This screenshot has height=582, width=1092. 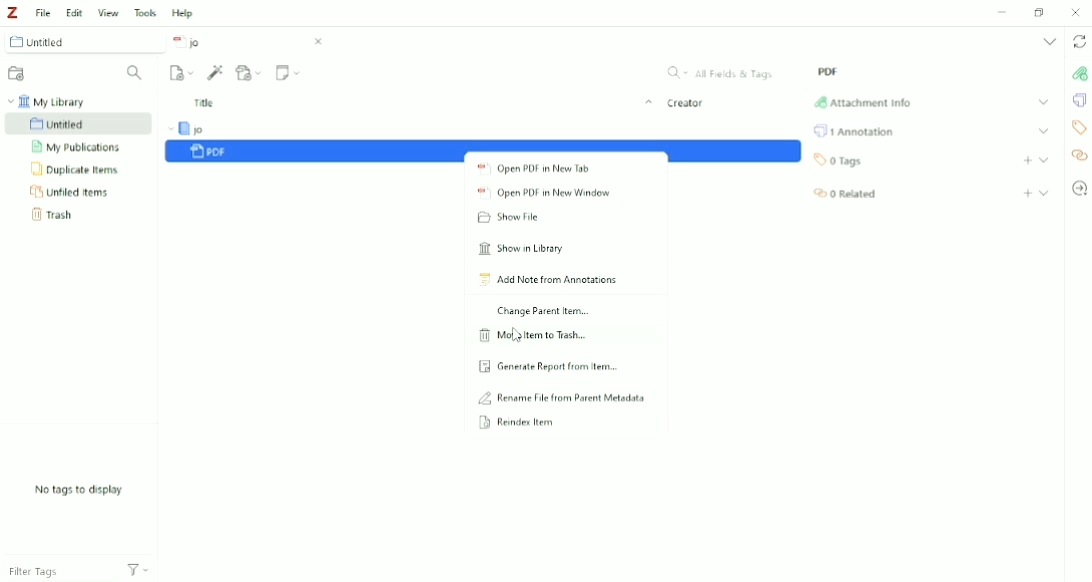 I want to click on Tags, so click(x=1077, y=128).